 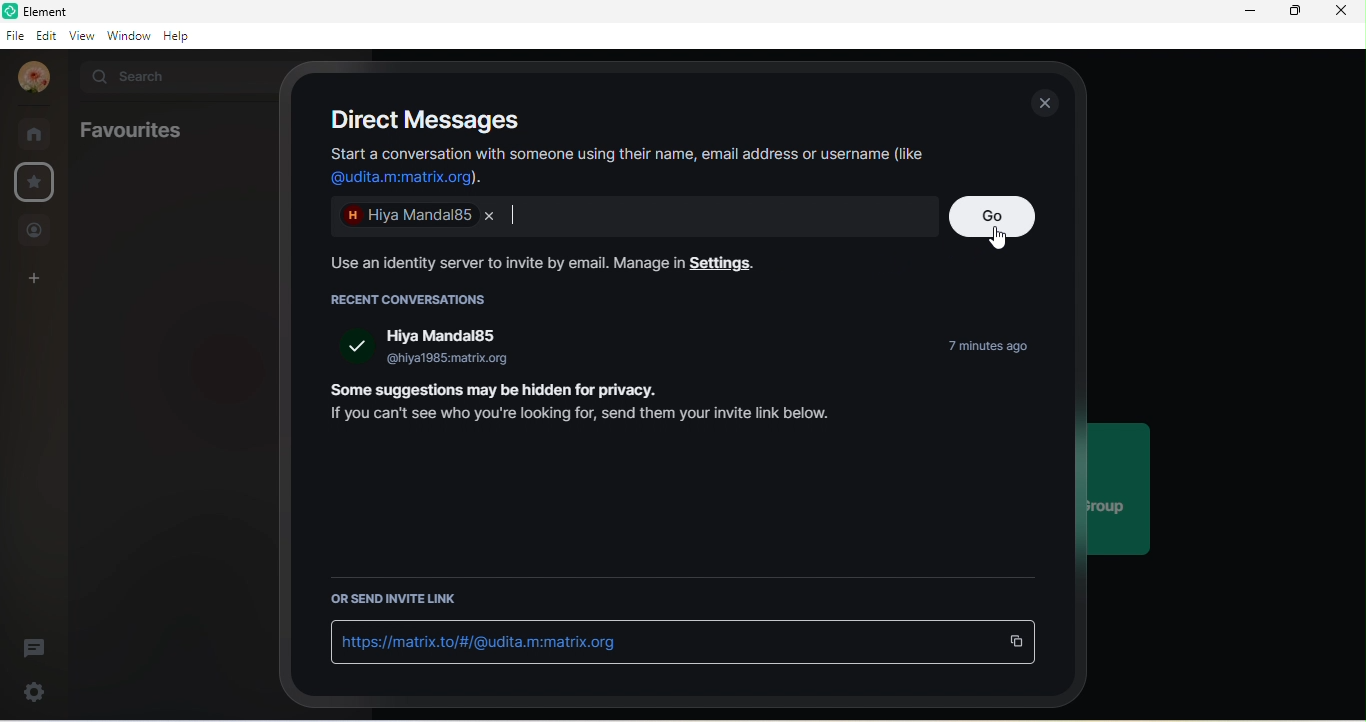 I want to click on hiya mandal85, so click(x=403, y=218).